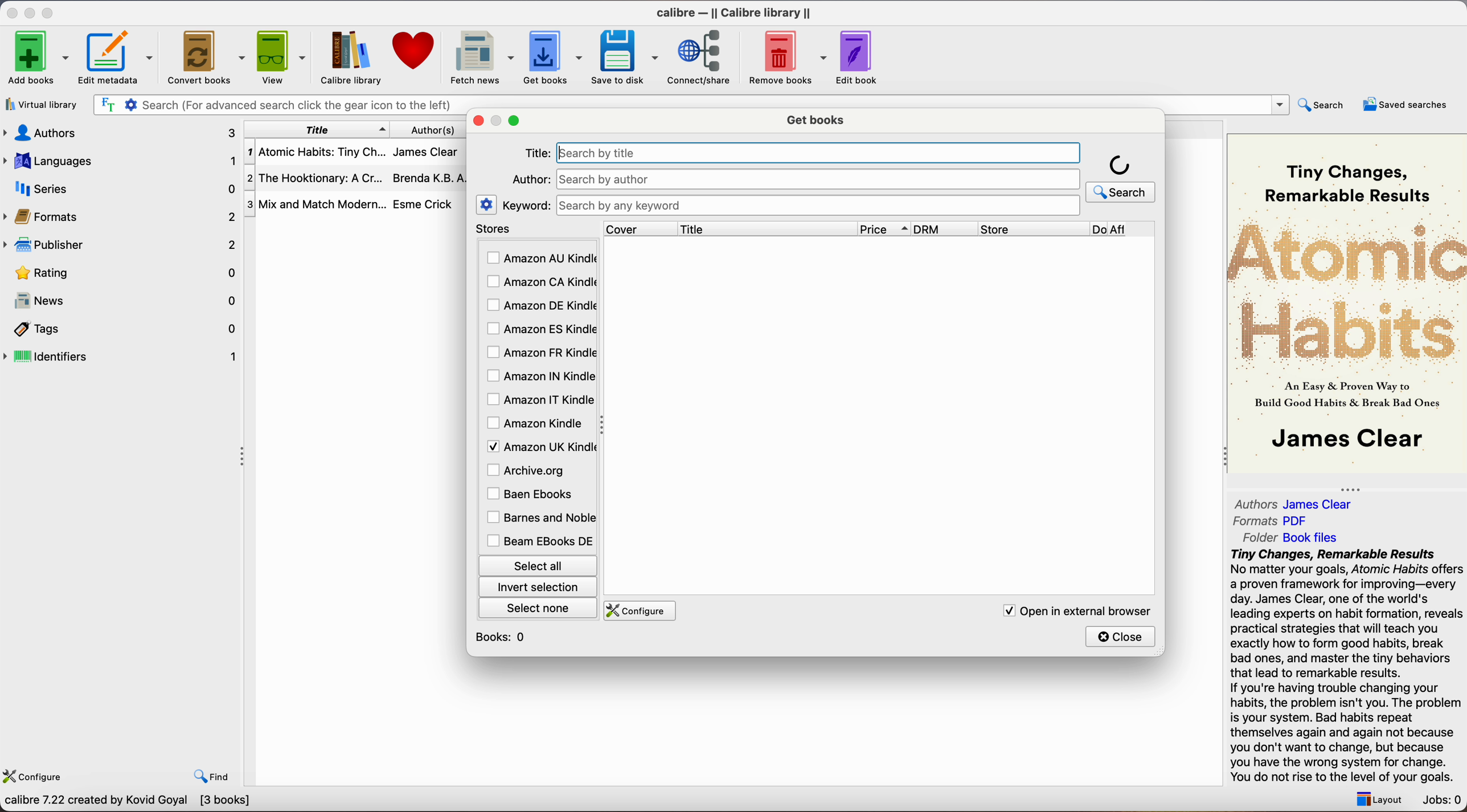 The height and width of the screenshot is (812, 1467). I want to click on saved searches, so click(1405, 104).